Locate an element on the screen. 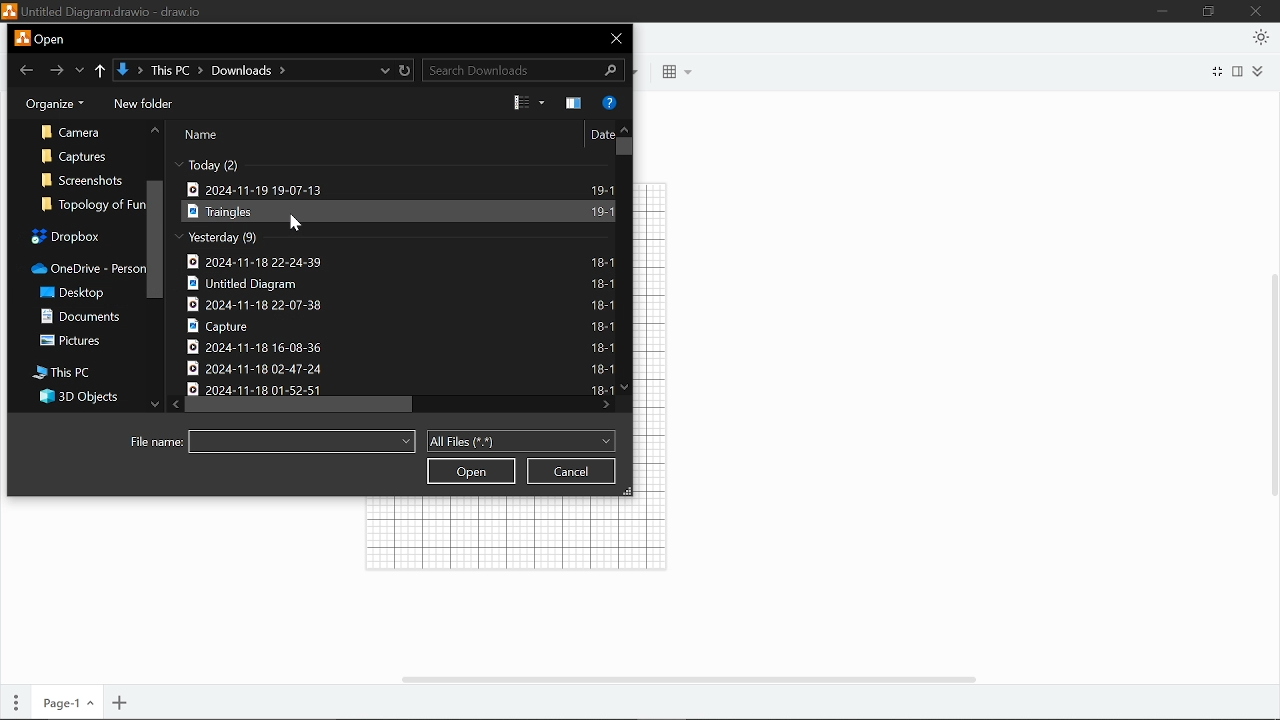 This screenshot has height=720, width=1280. Vertical scrollbar for files is located at coordinates (624, 147).